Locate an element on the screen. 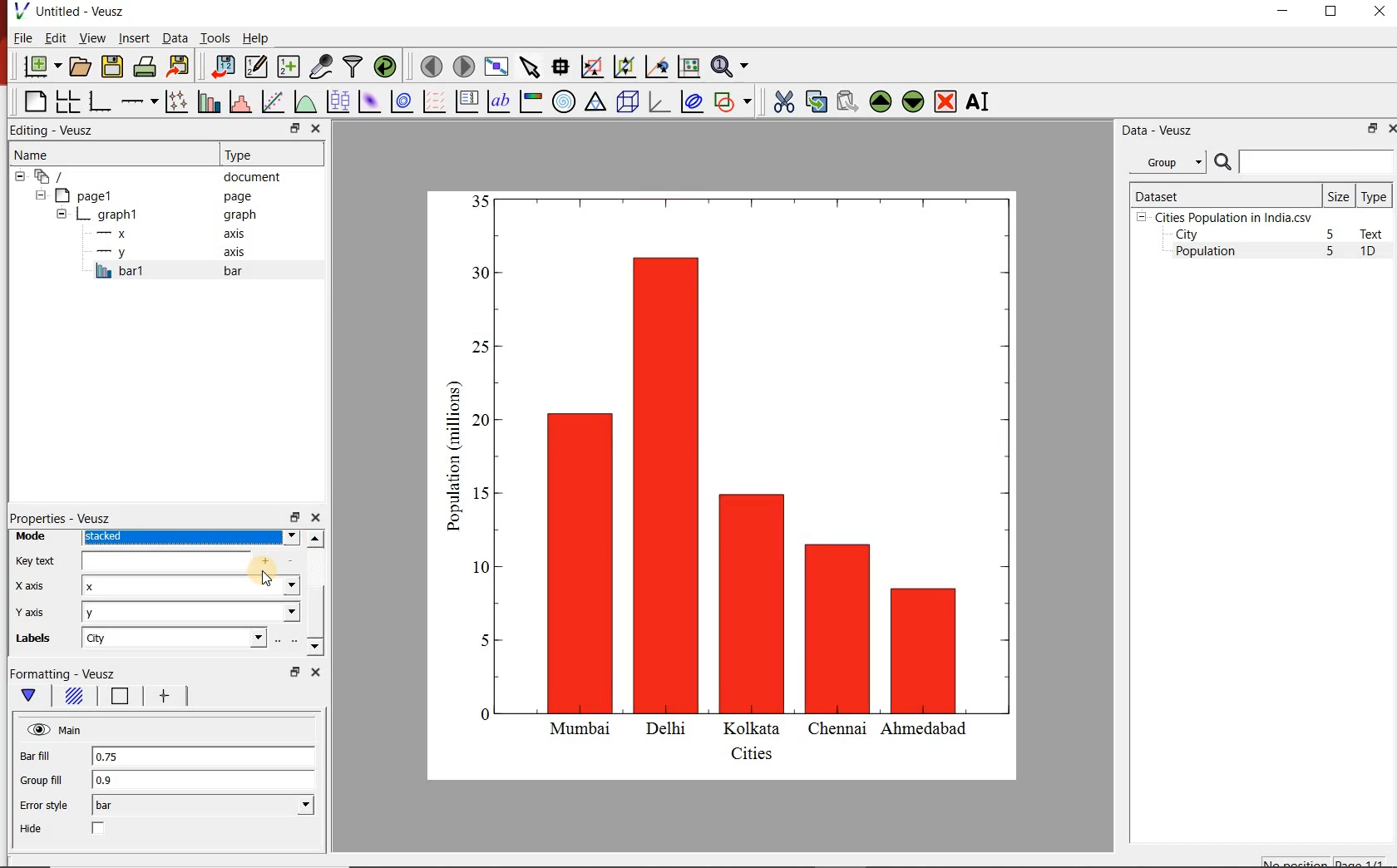 This screenshot has width=1397, height=868. graph1 is located at coordinates (159, 215).